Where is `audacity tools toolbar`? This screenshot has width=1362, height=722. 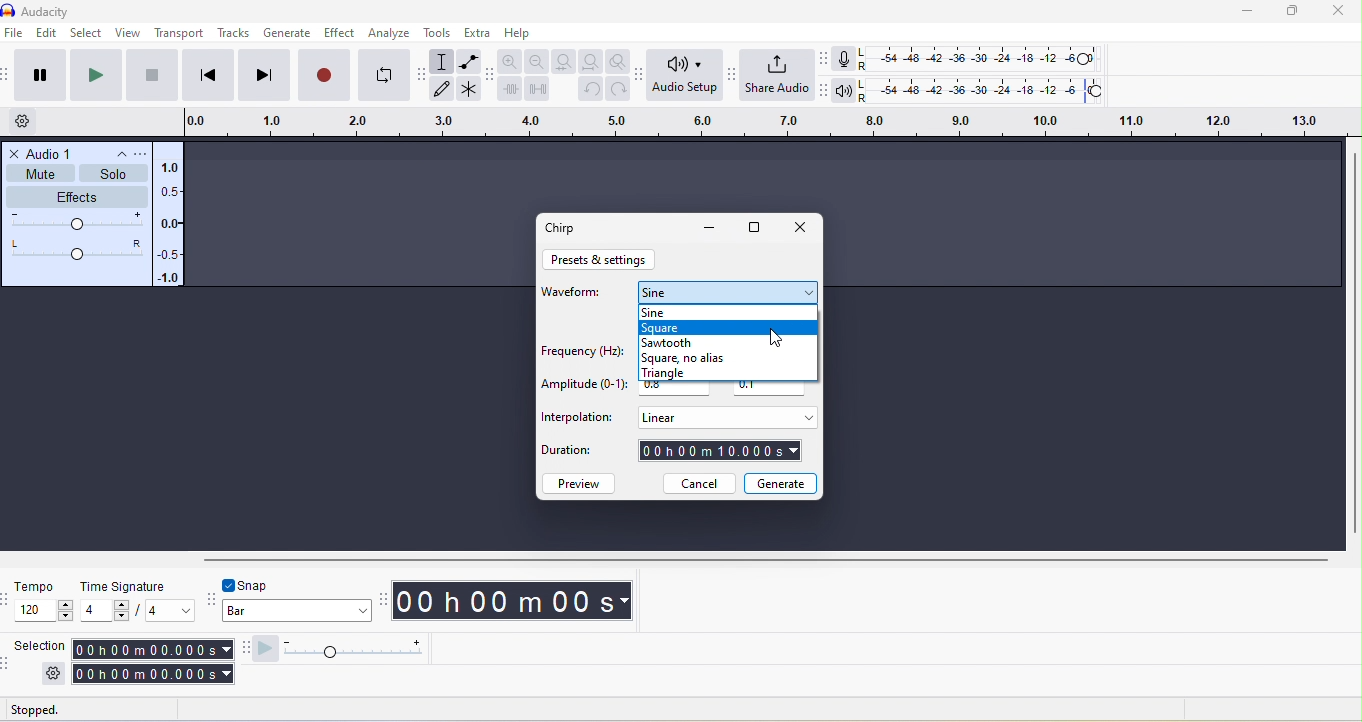
audacity tools toolbar is located at coordinates (424, 81).